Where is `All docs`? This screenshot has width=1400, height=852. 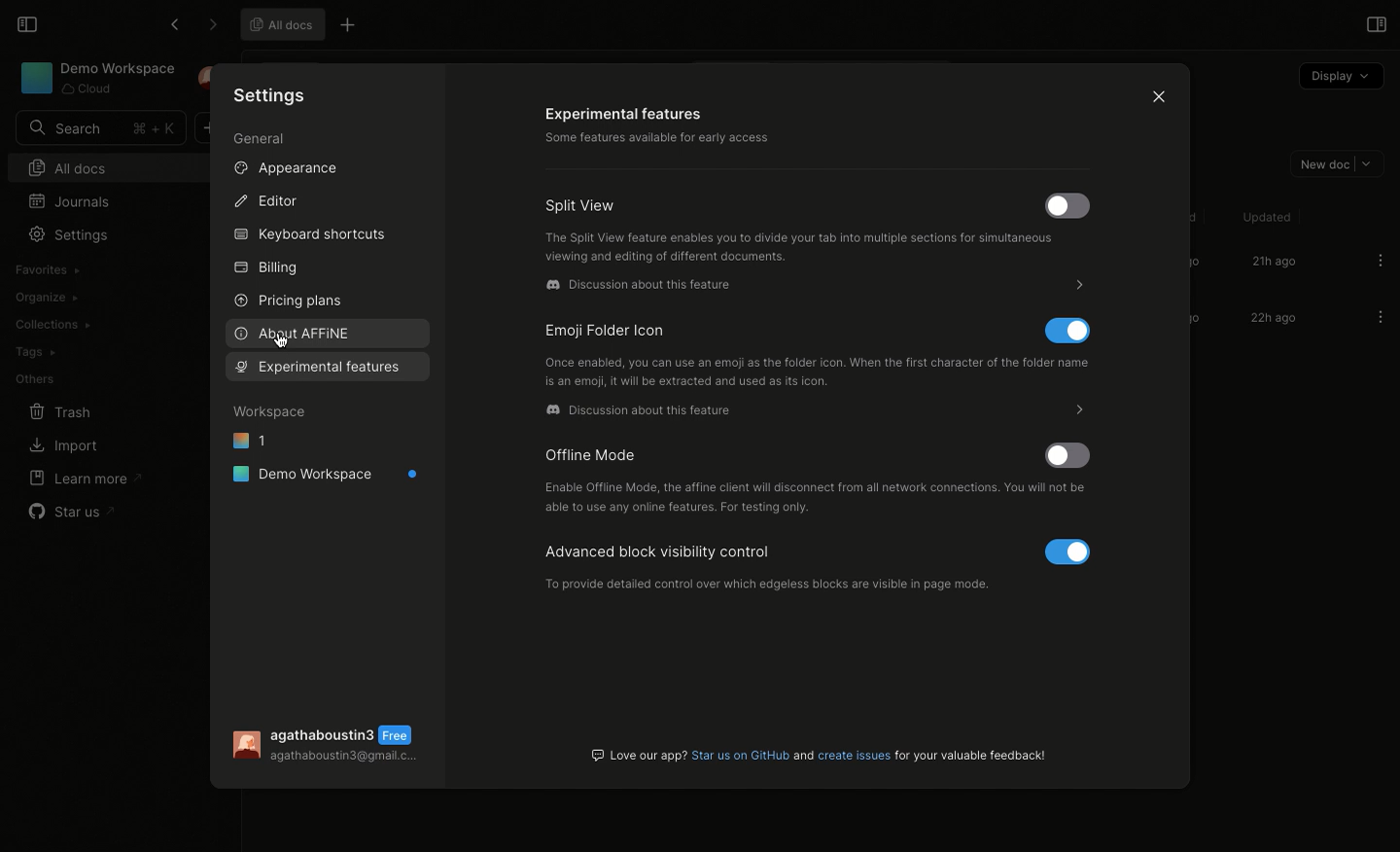 All docs is located at coordinates (94, 167).